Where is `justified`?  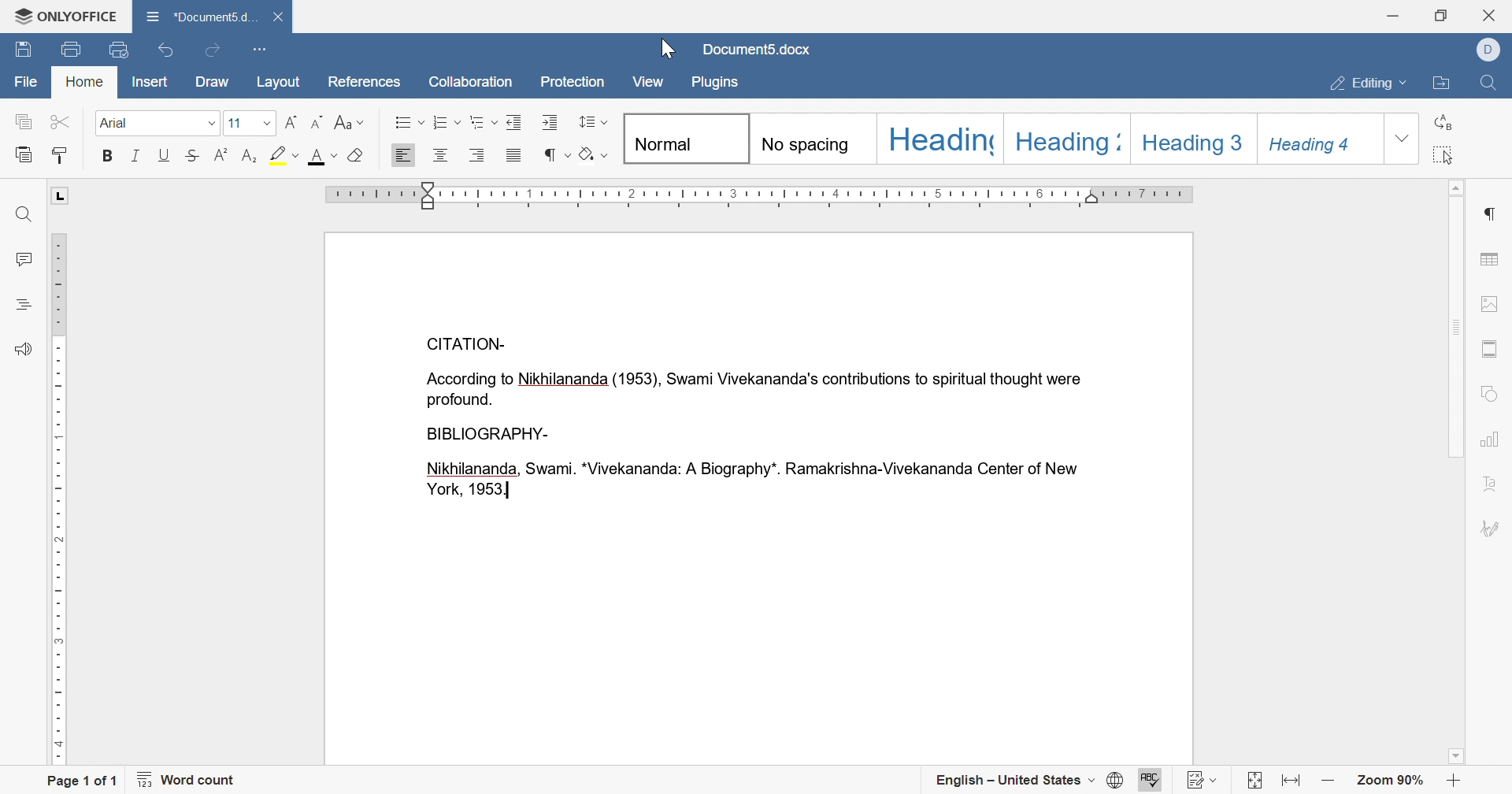 justified is located at coordinates (513, 154).